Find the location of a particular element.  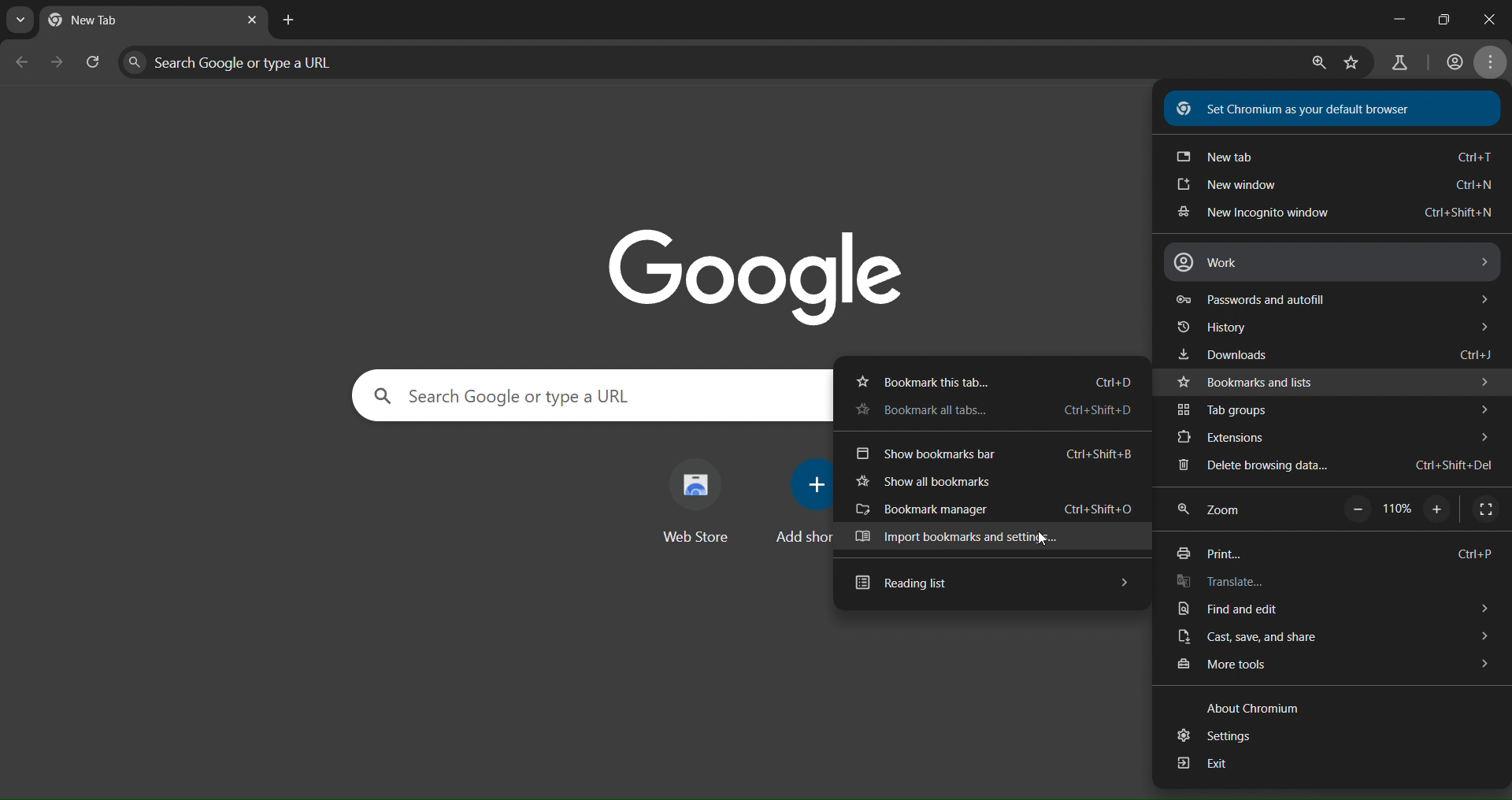

current tab is located at coordinates (98, 20).